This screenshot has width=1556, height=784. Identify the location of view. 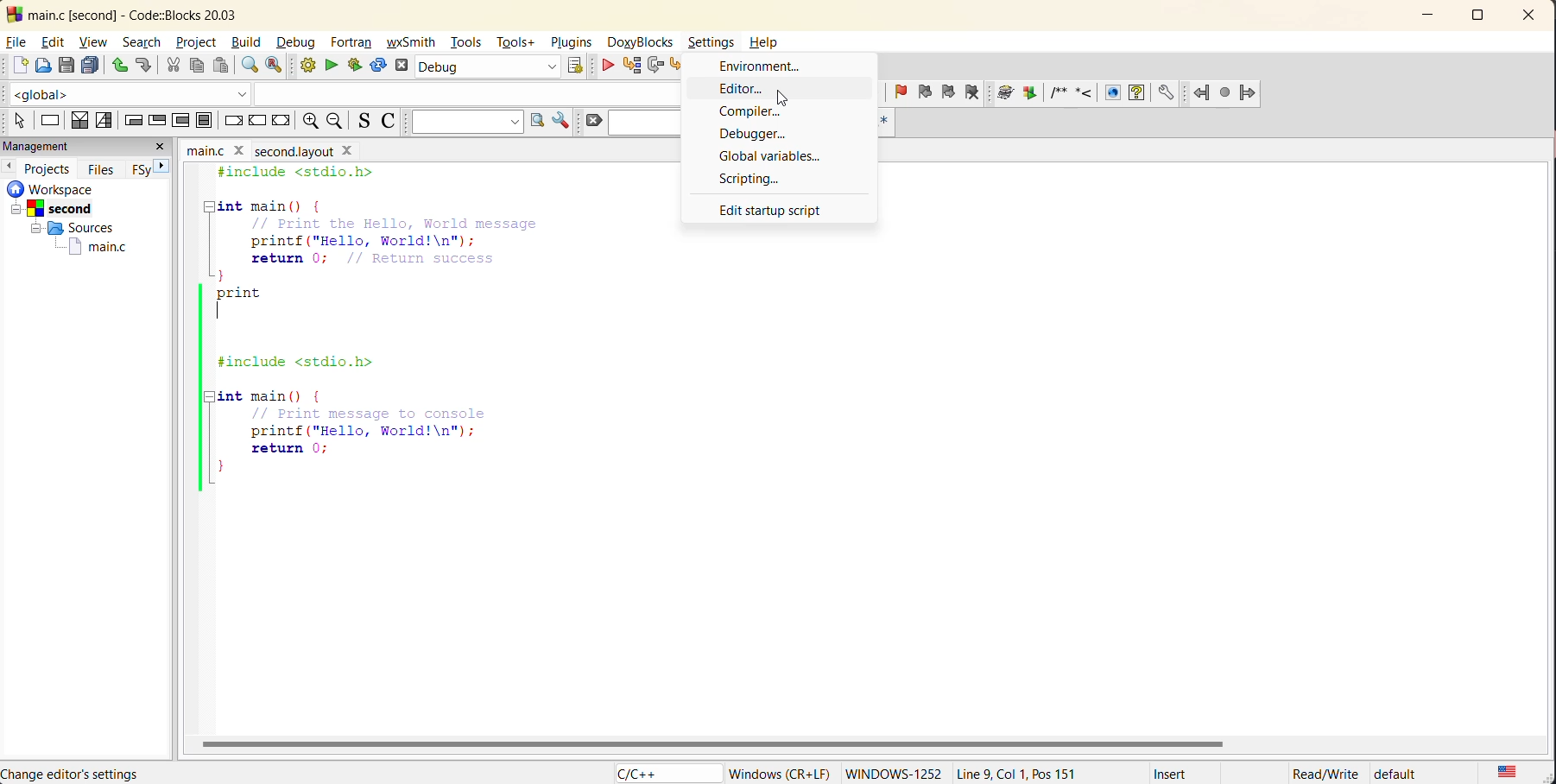
(98, 42).